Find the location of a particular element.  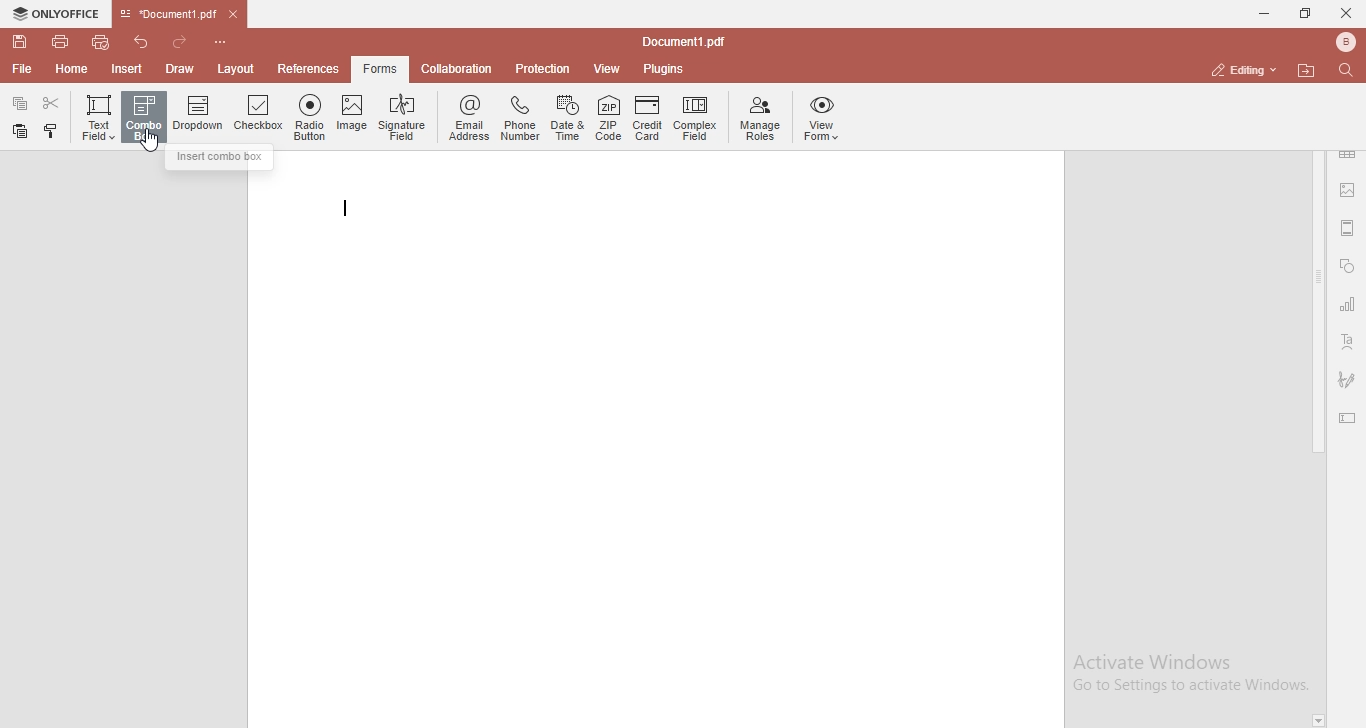

restore is located at coordinates (1304, 14).